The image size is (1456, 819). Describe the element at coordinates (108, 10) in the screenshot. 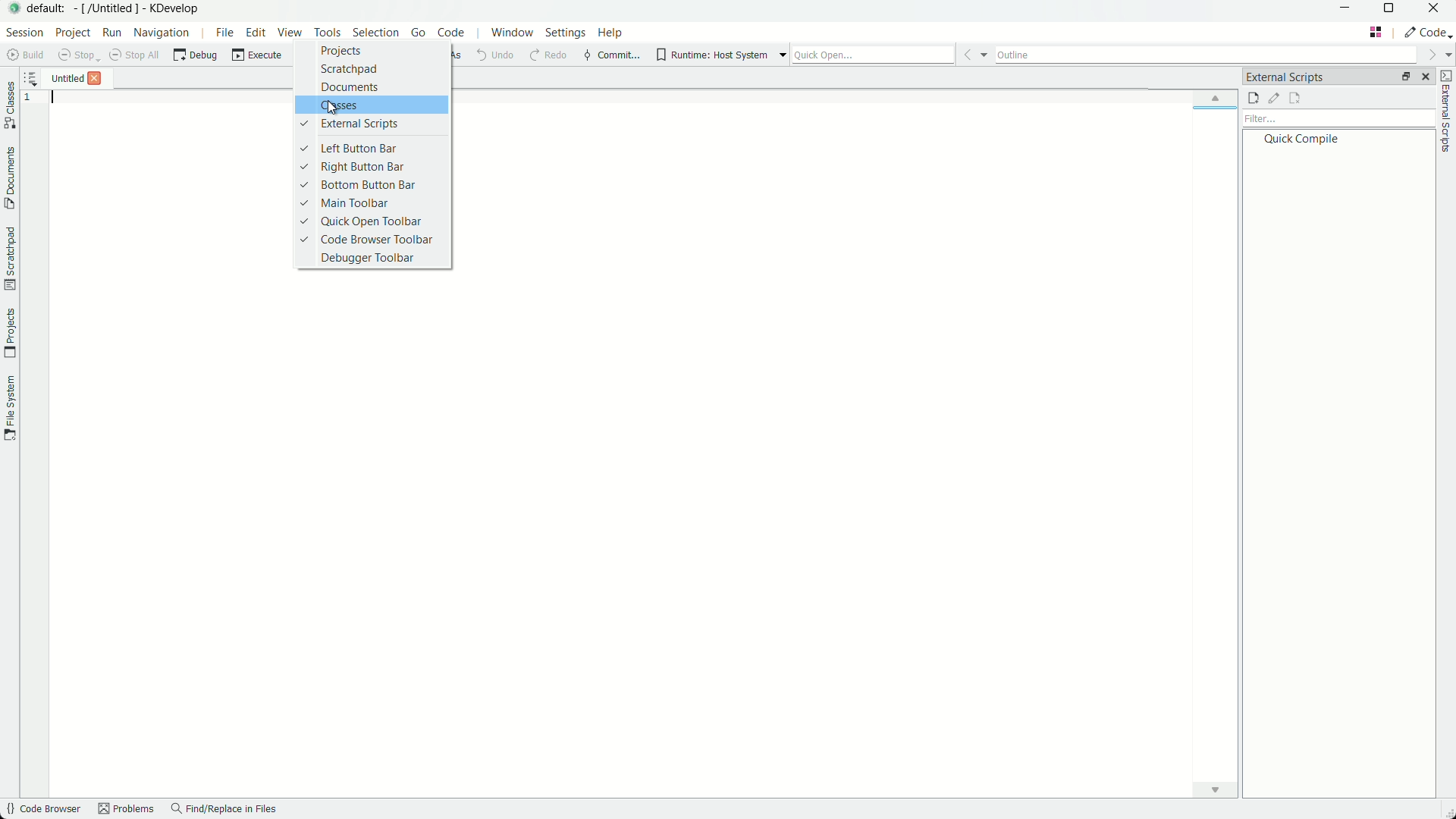

I see `[/untitled]` at that location.